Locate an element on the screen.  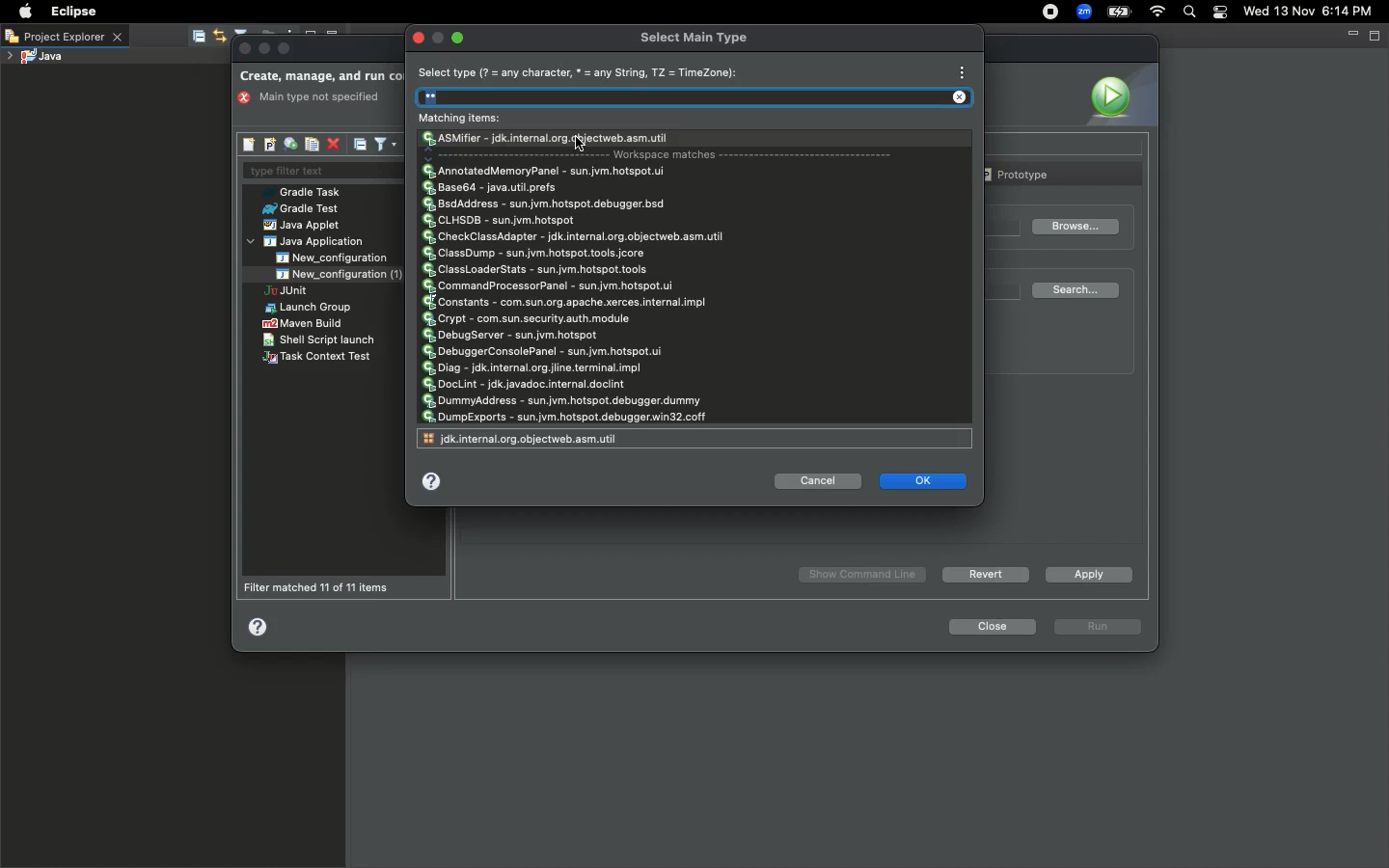
Delete selected launch configurations is located at coordinates (333, 146).